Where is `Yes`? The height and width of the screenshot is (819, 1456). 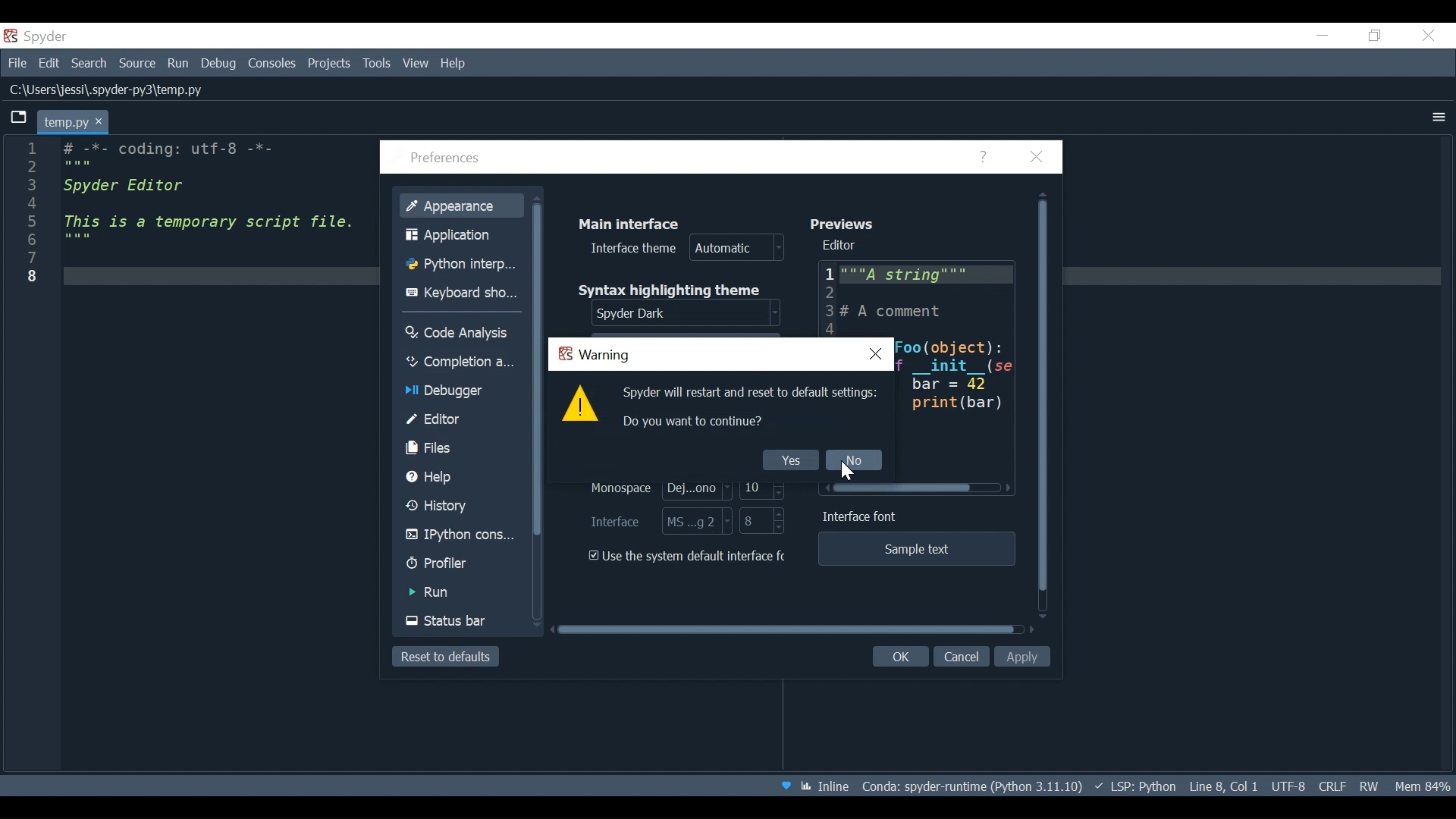 Yes is located at coordinates (790, 460).